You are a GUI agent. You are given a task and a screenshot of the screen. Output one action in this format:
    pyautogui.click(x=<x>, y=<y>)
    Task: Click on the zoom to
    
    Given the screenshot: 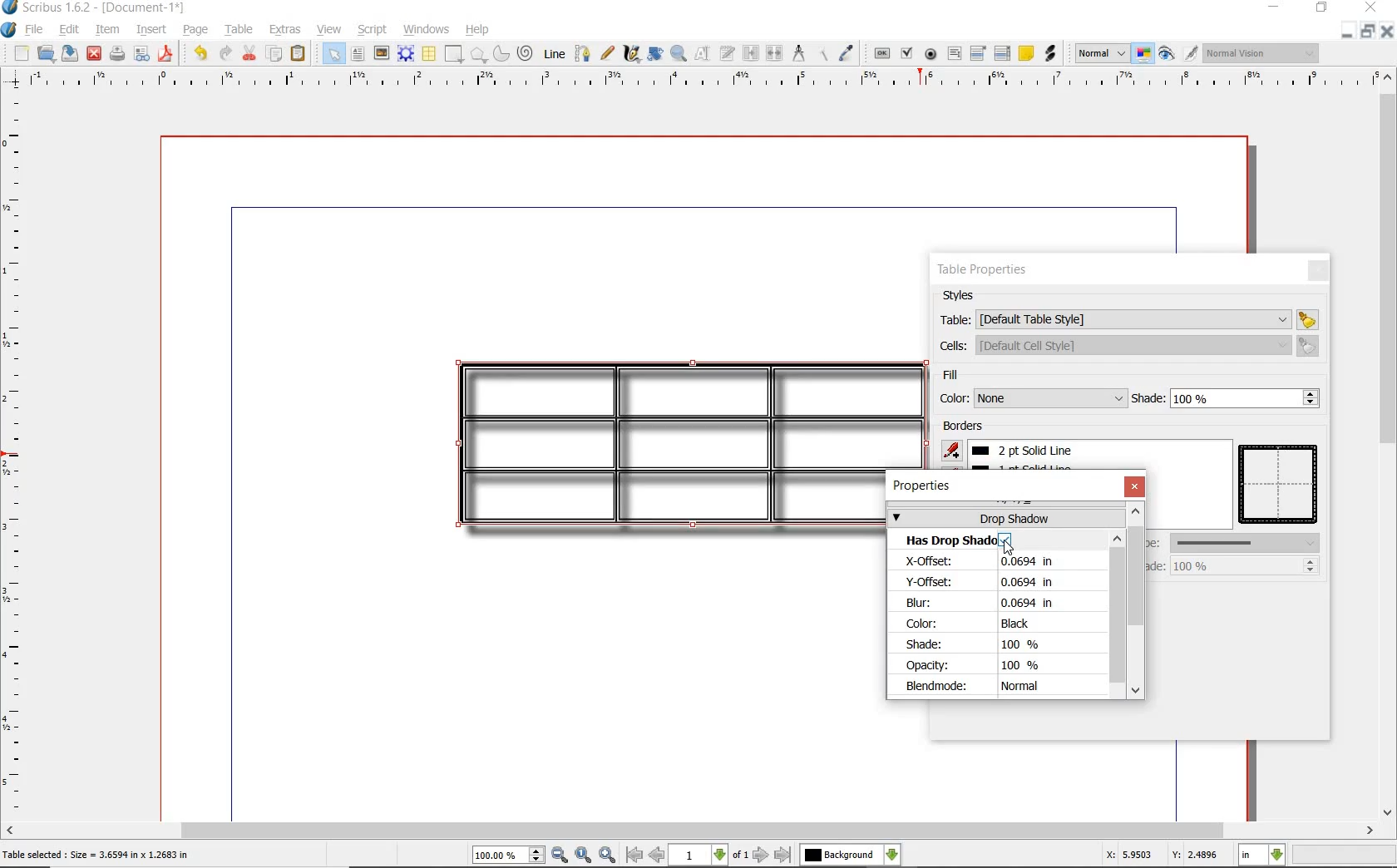 What is the action you would take?
    pyautogui.click(x=583, y=855)
    